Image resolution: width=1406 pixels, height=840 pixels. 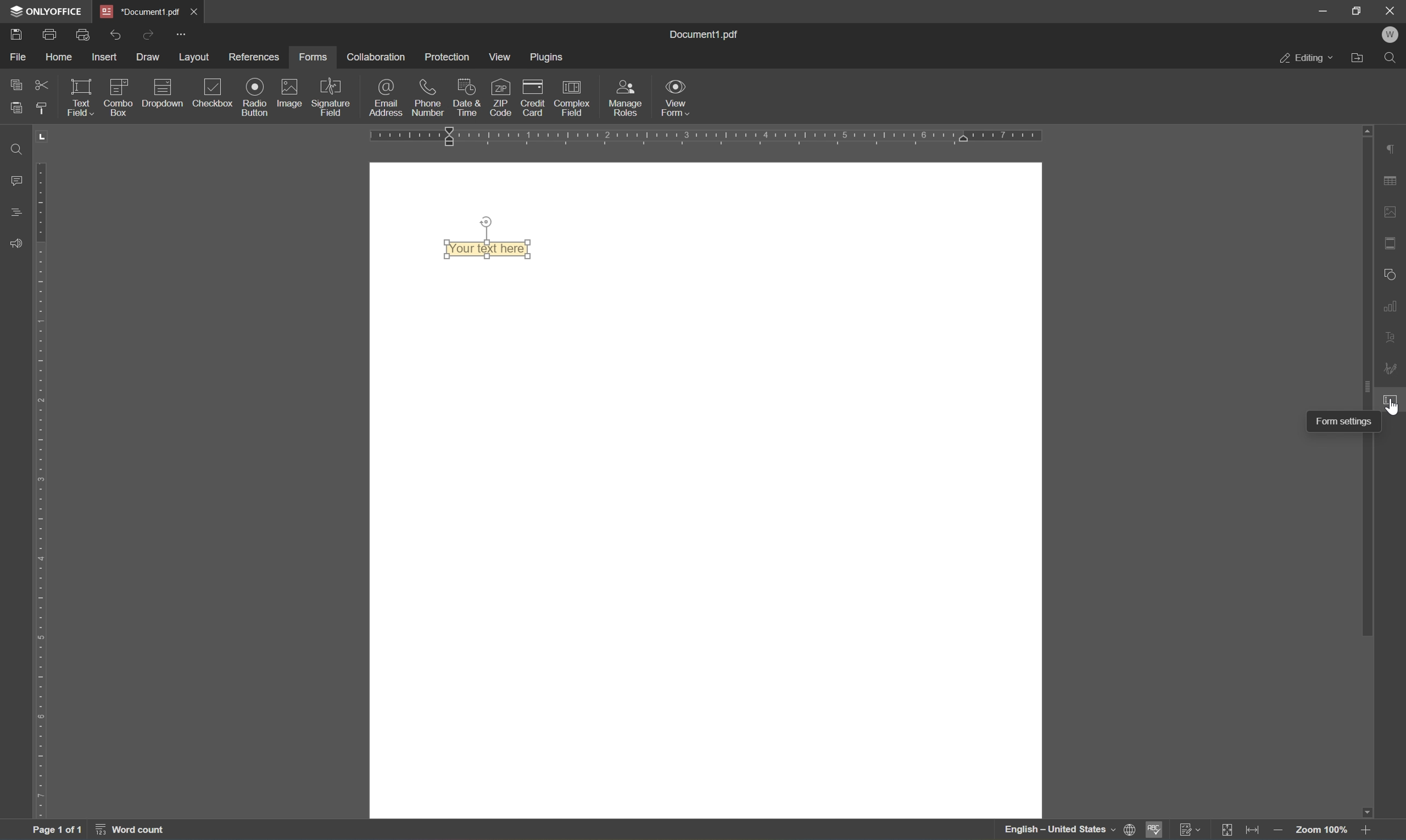 I want to click on insert fixed text field, so click(x=149, y=102).